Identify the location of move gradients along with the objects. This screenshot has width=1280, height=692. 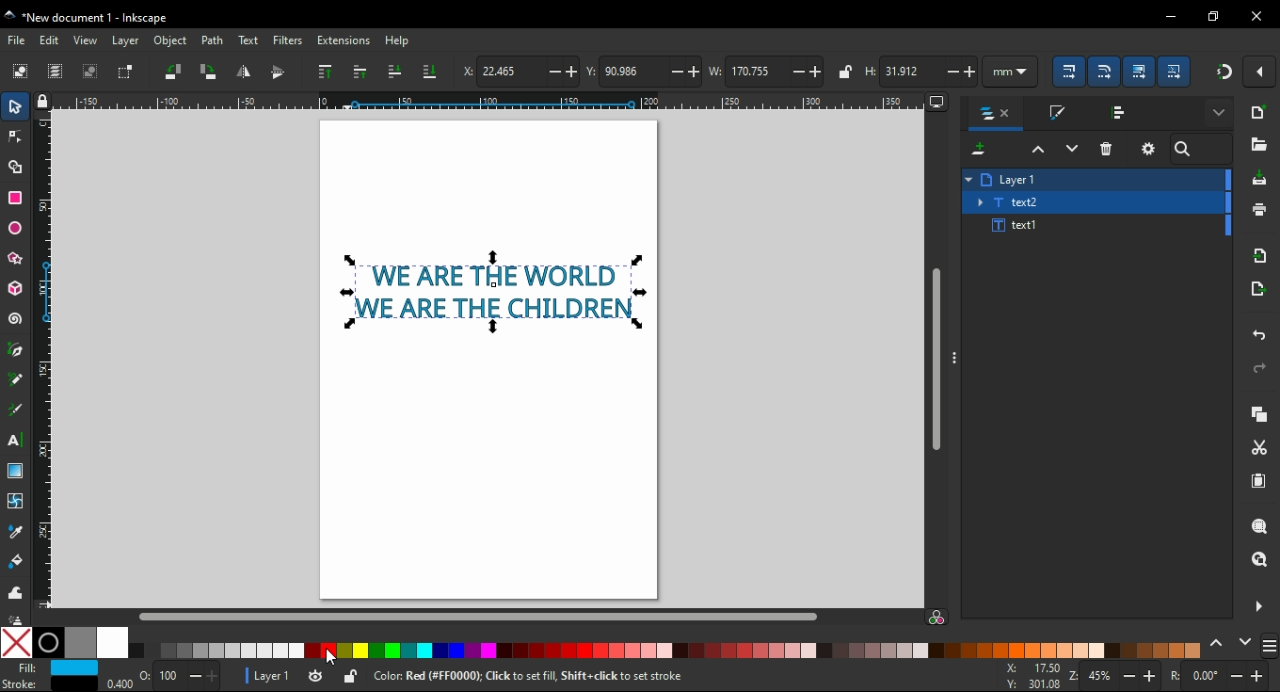
(1141, 71).